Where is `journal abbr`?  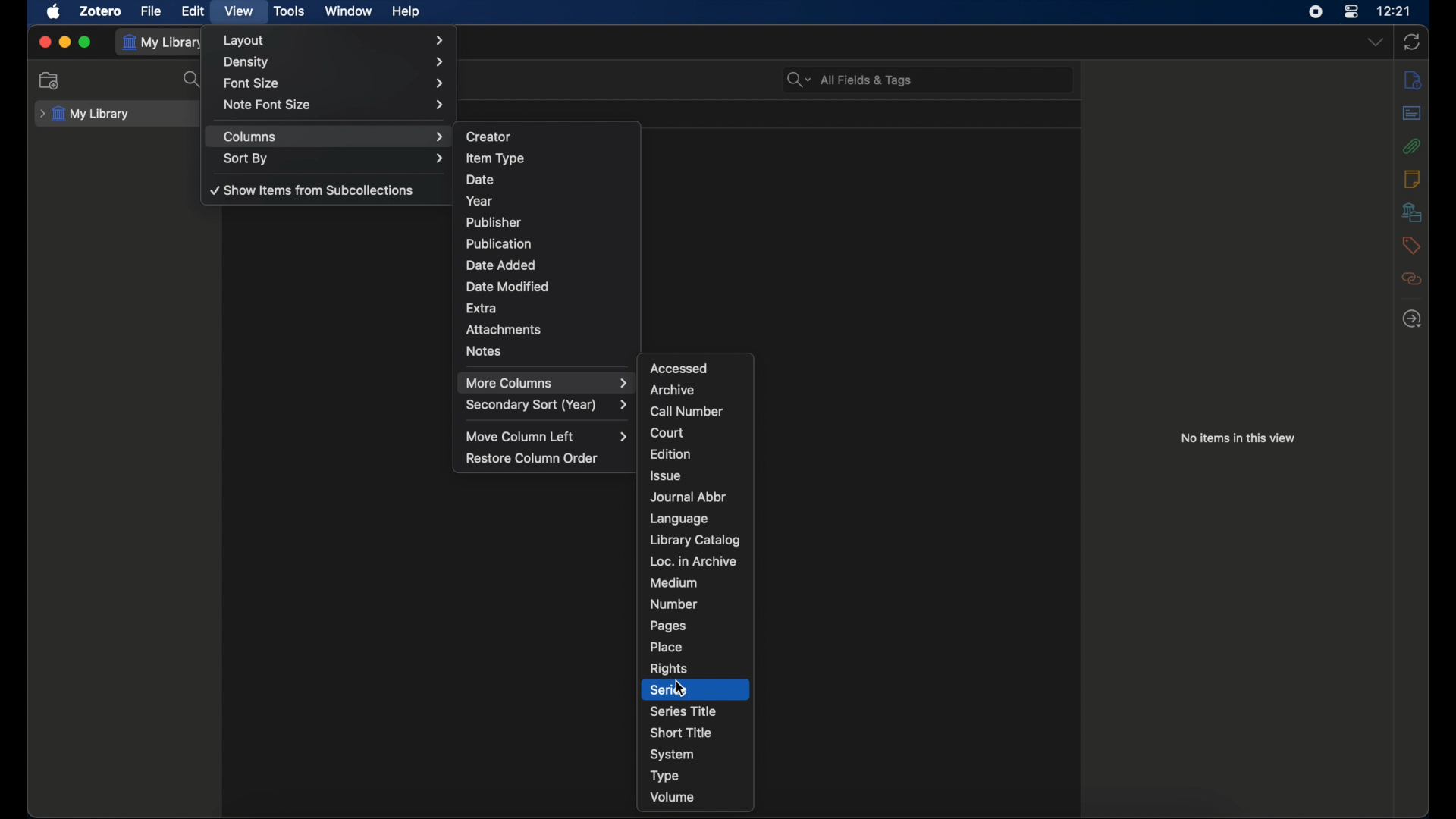 journal abbr is located at coordinates (689, 497).